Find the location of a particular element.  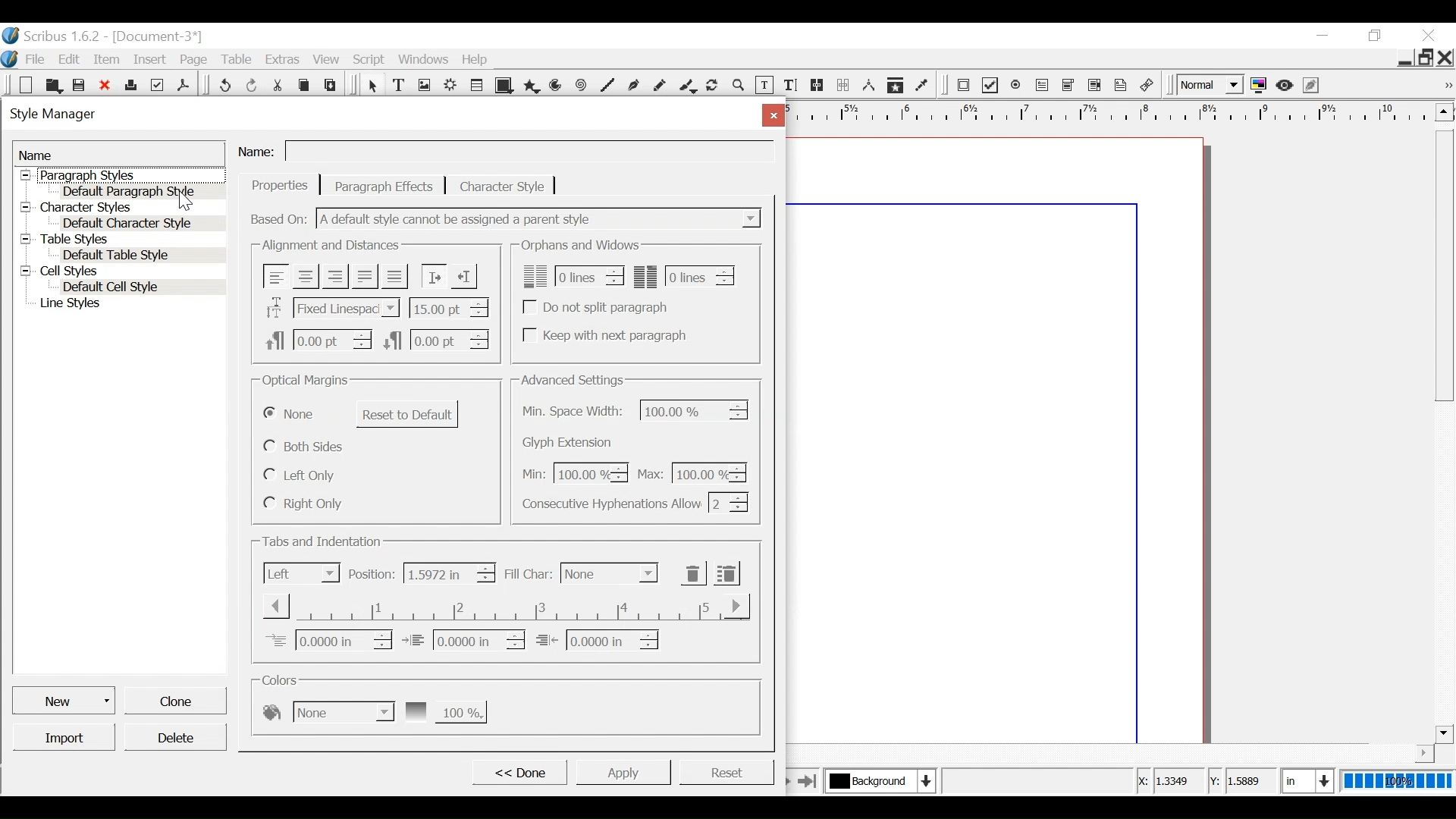

Document is located at coordinates (155, 36).